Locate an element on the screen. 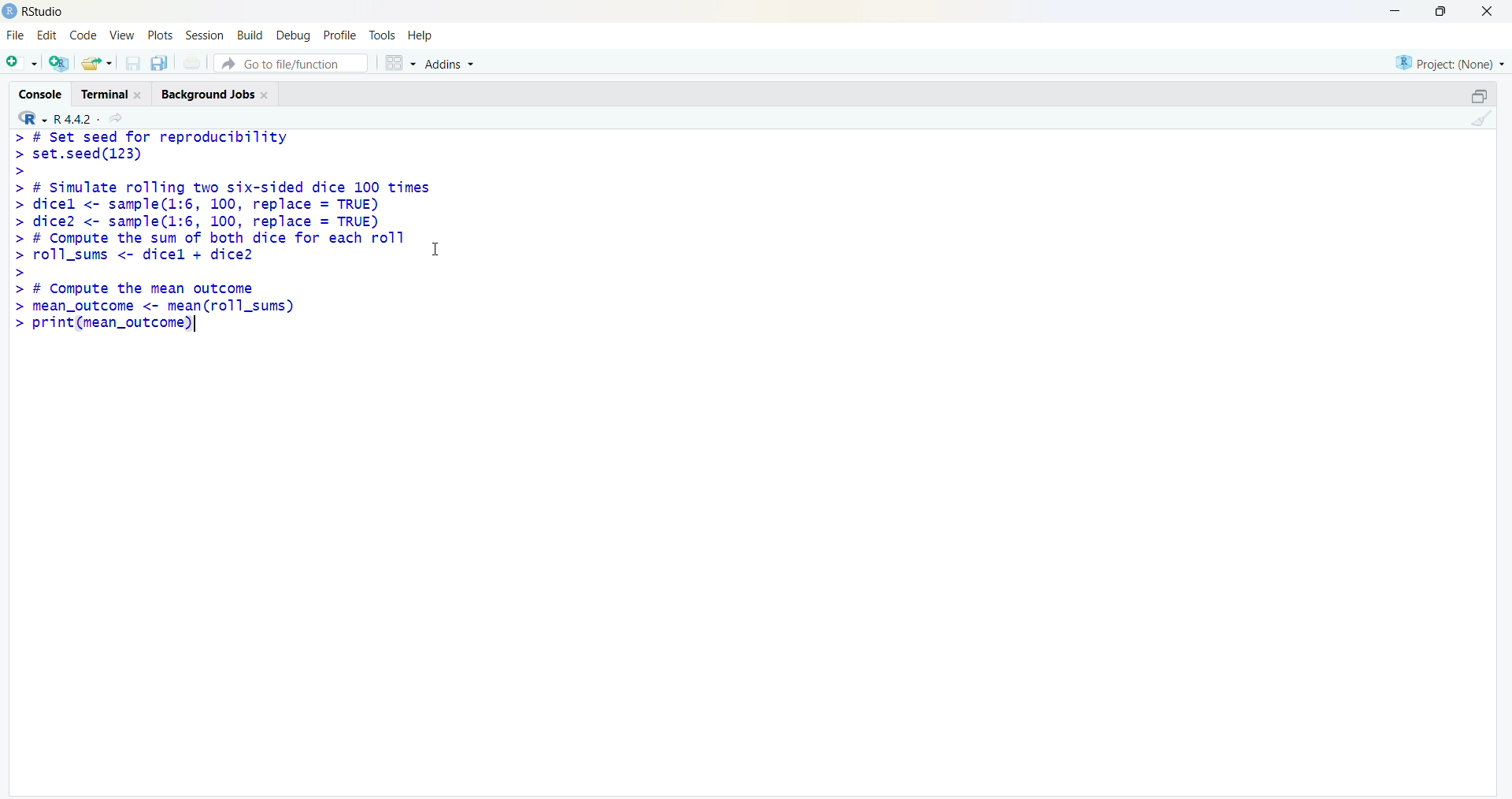 The width and height of the screenshot is (1512, 799). add file as is located at coordinates (23, 63).